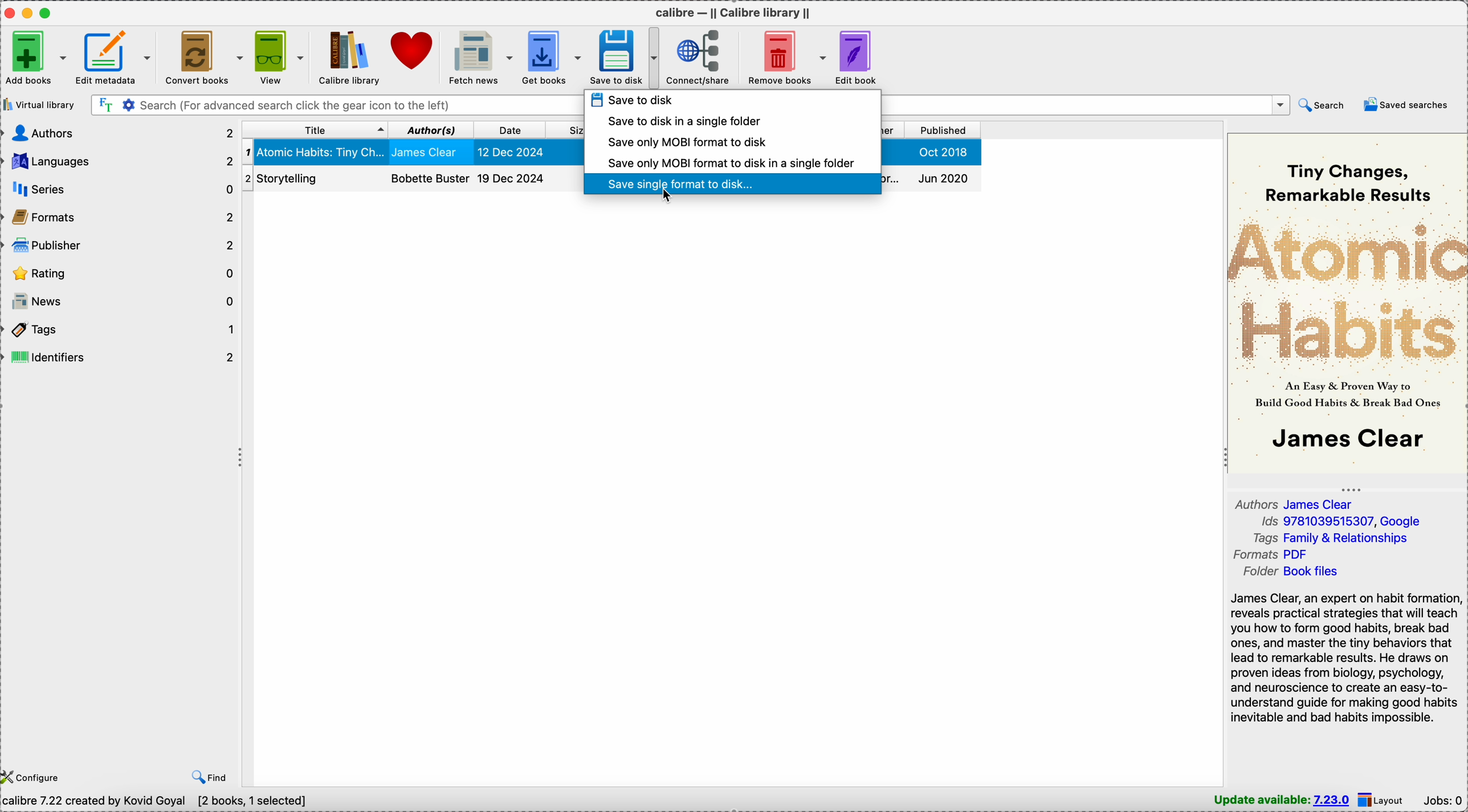 The height and width of the screenshot is (812, 1468). What do you see at coordinates (1406, 104) in the screenshot?
I see `saved searches` at bounding box center [1406, 104].